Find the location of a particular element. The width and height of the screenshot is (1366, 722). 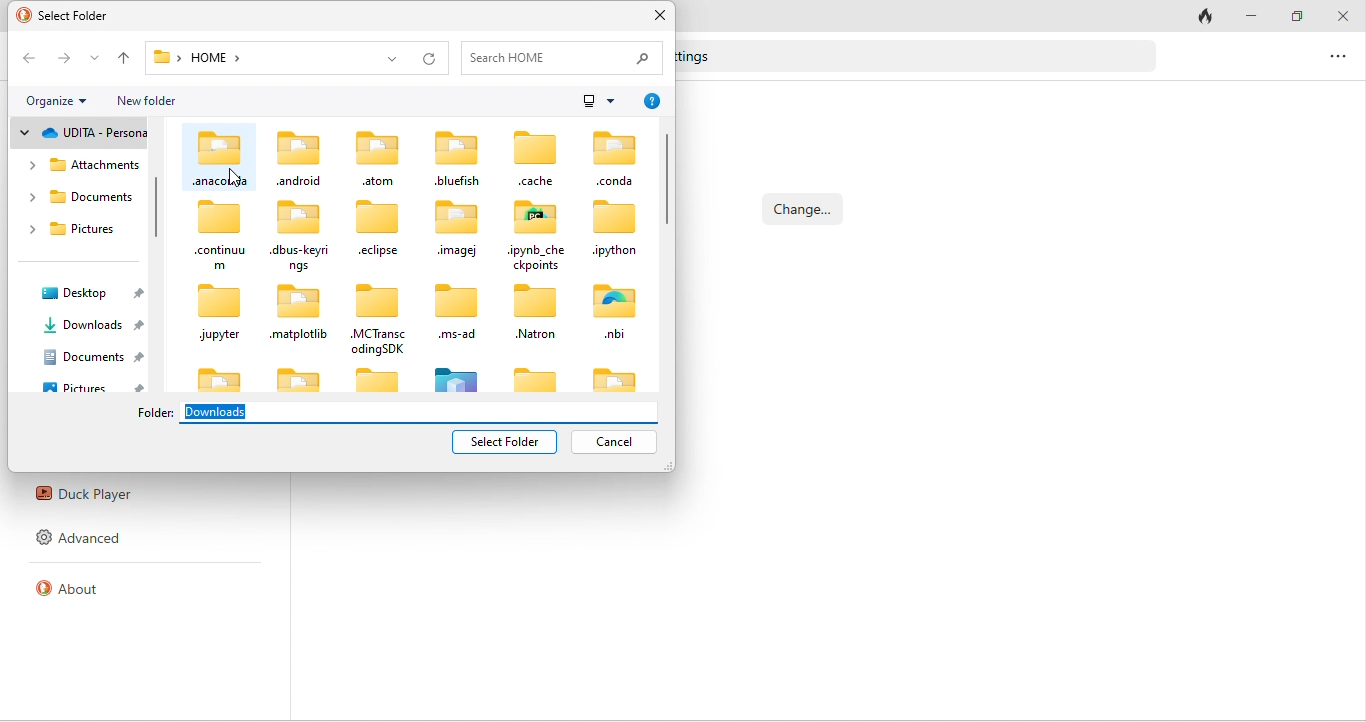

.ipynb_checkoptions is located at coordinates (537, 233).